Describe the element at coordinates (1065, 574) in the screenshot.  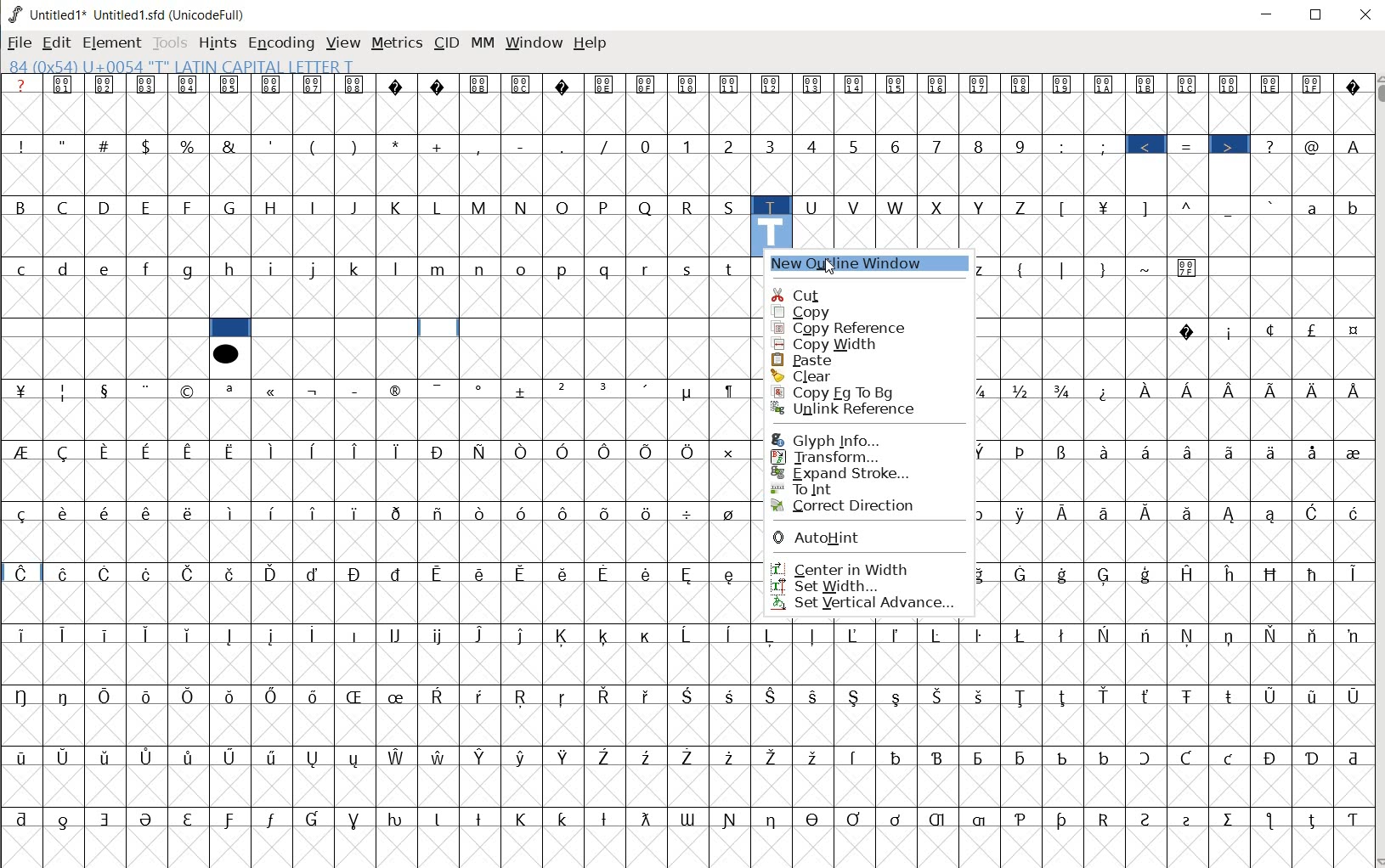
I see `Symbol` at that location.